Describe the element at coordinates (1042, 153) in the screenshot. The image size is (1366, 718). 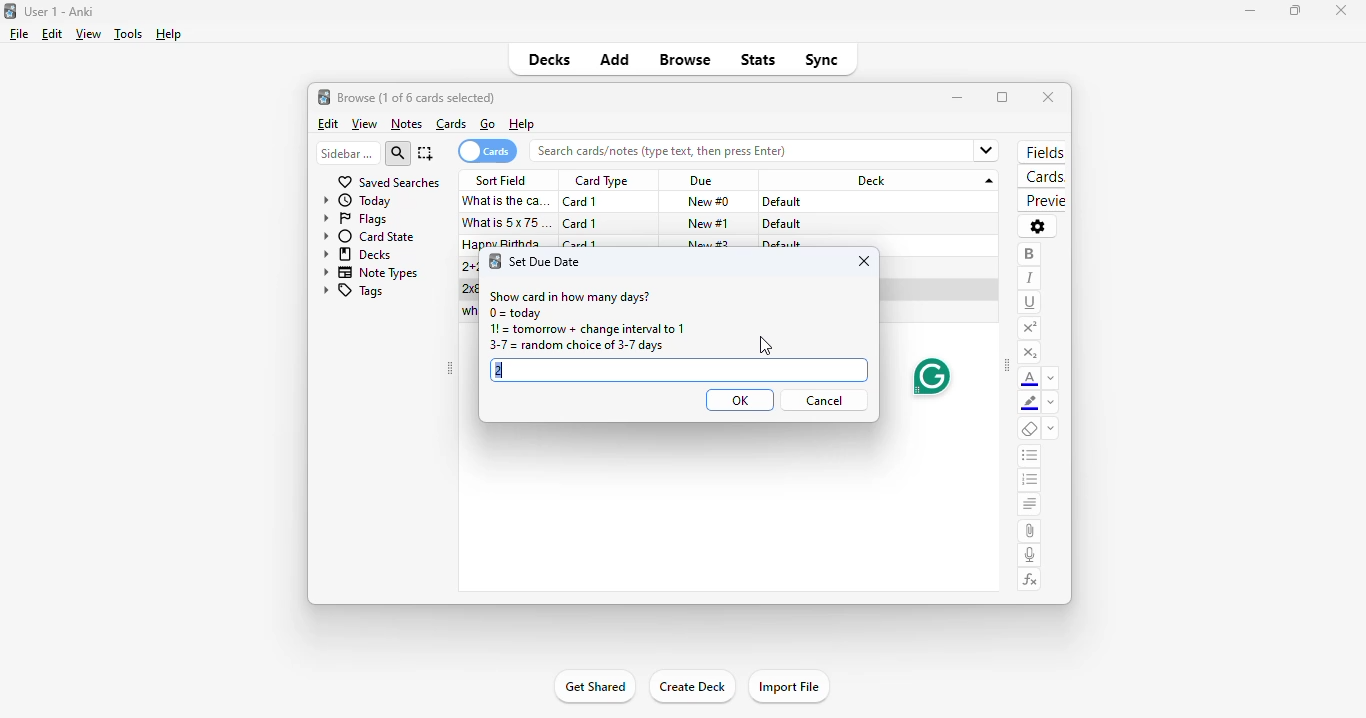
I see `fields` at that location.